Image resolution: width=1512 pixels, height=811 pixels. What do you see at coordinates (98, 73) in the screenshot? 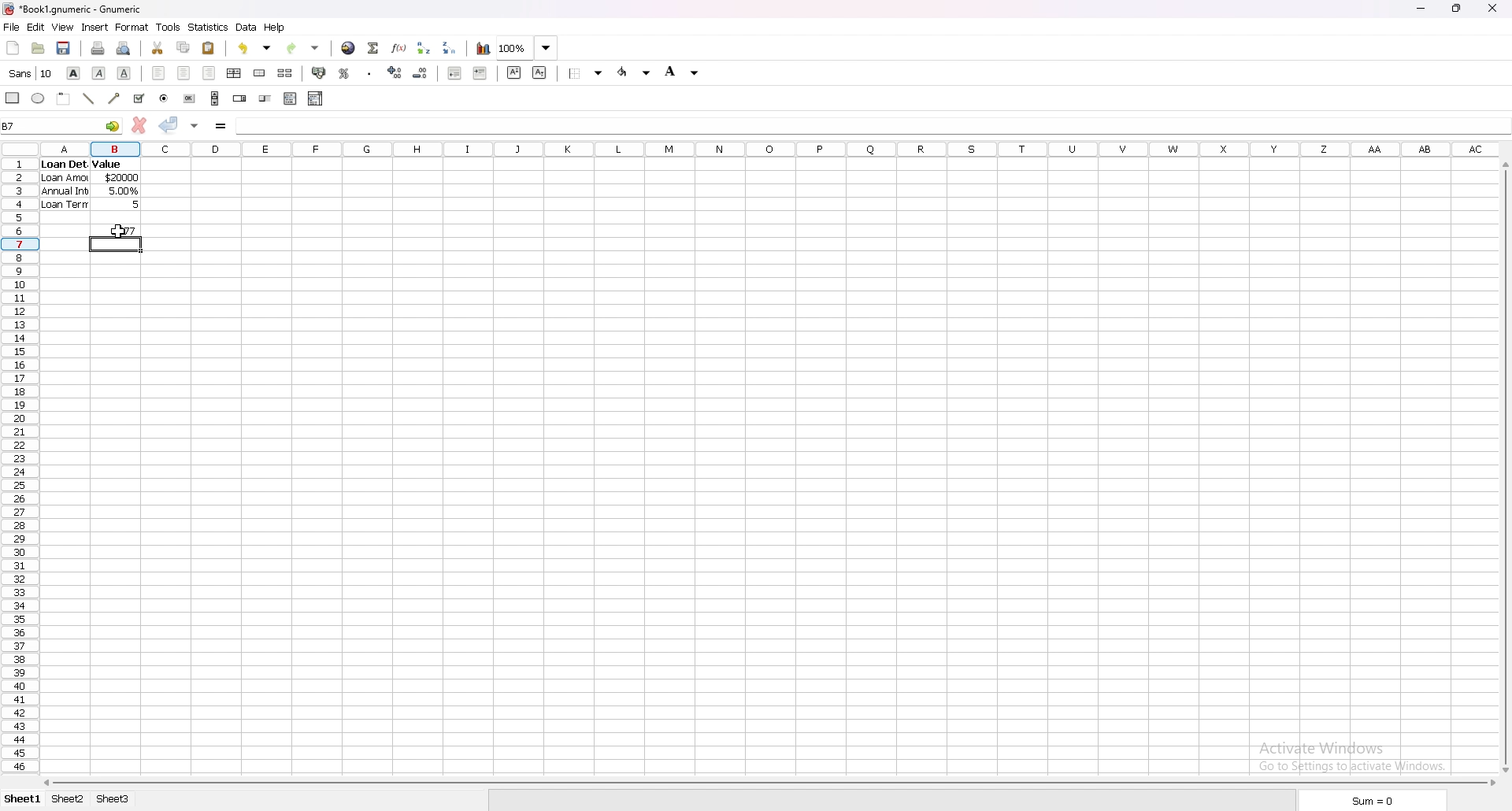
I see `italic` at bounding box center [98, 73].